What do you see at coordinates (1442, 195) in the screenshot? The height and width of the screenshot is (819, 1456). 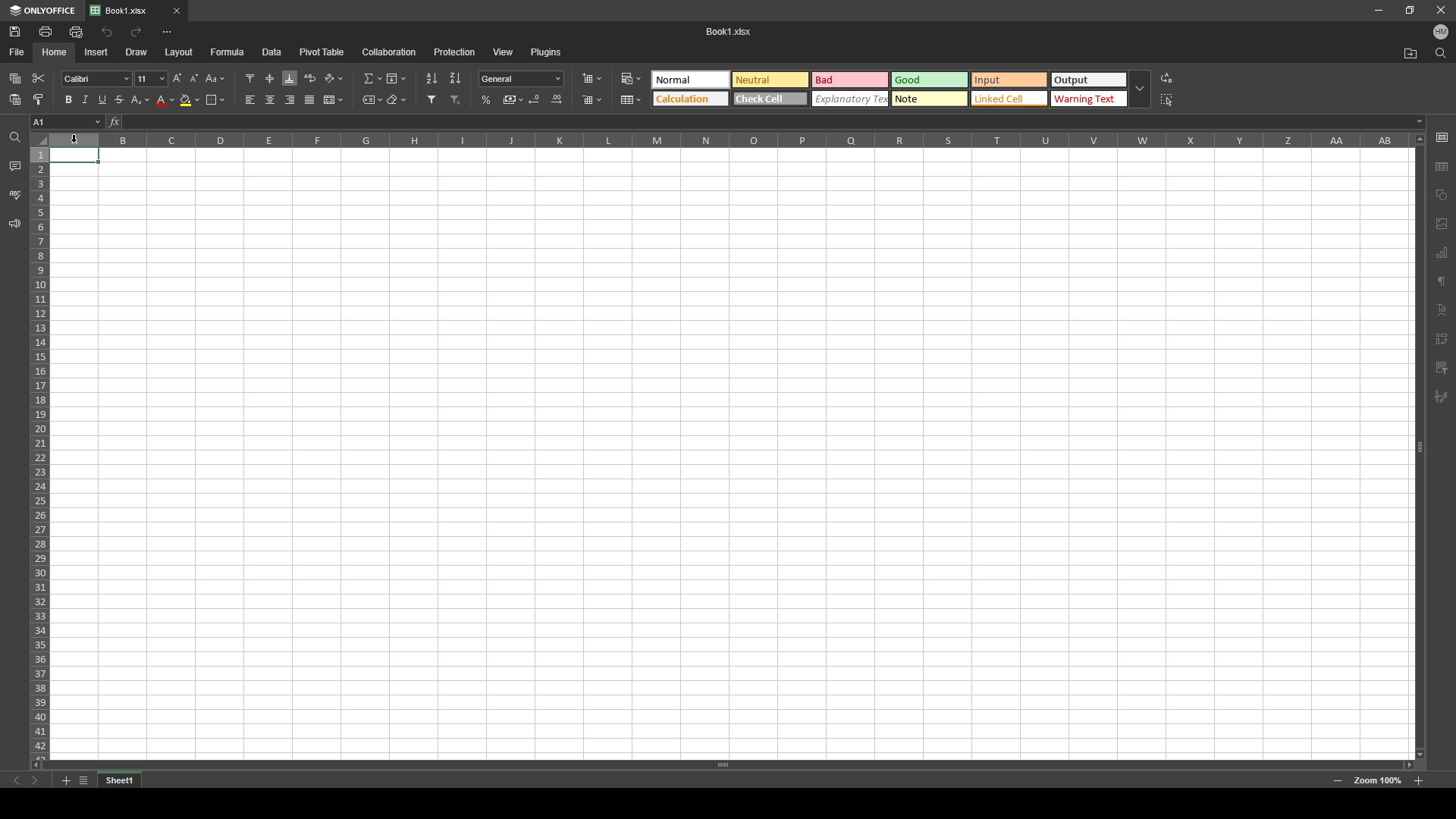 I see `shapes` at bounding box center [1442, 195].